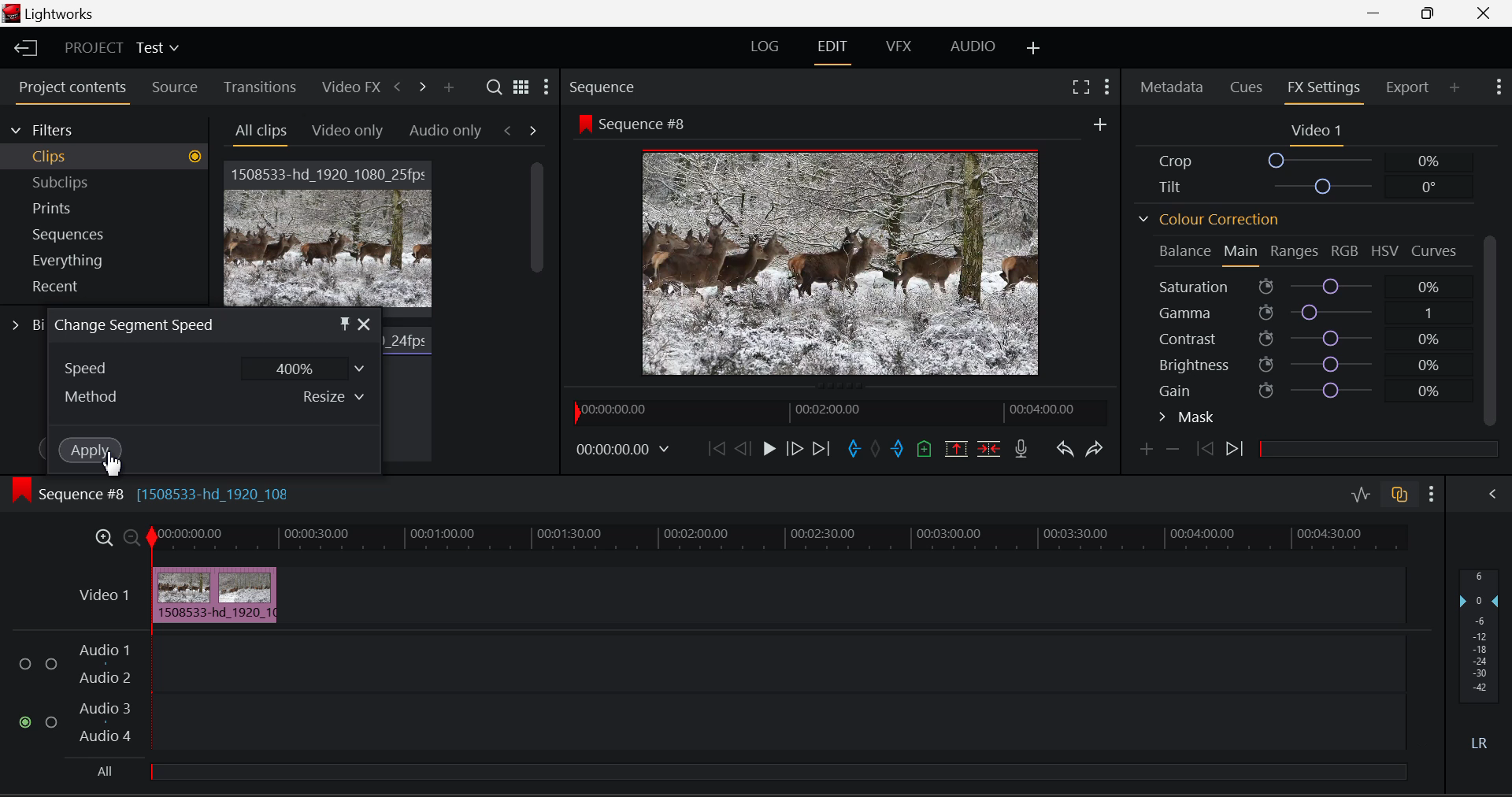 Image resolution: width=1512 pixels, height=797 pixels. I want to click on Audio only, so click(445, 132).